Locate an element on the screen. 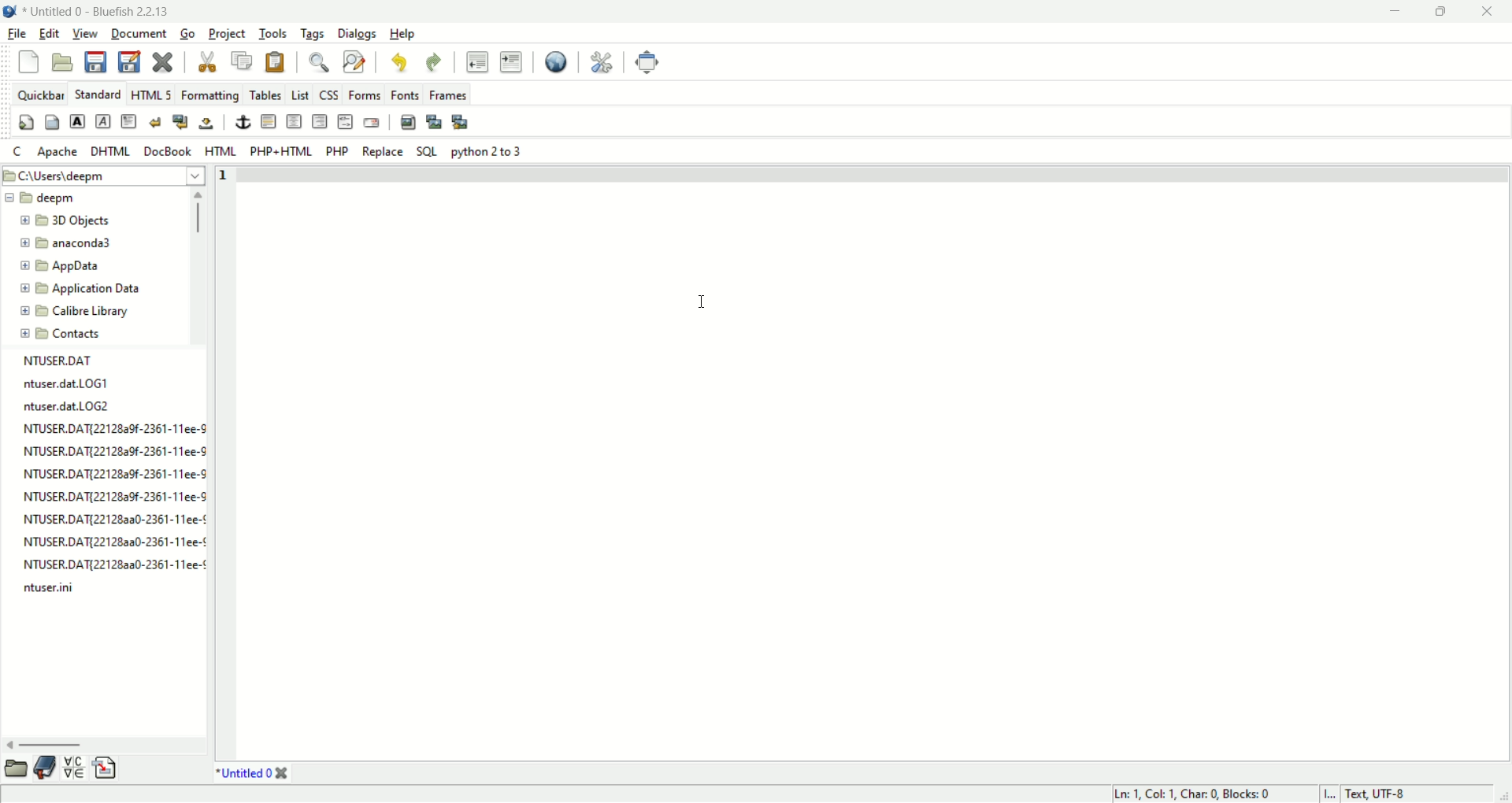  view is located at coordinates (87, 34).